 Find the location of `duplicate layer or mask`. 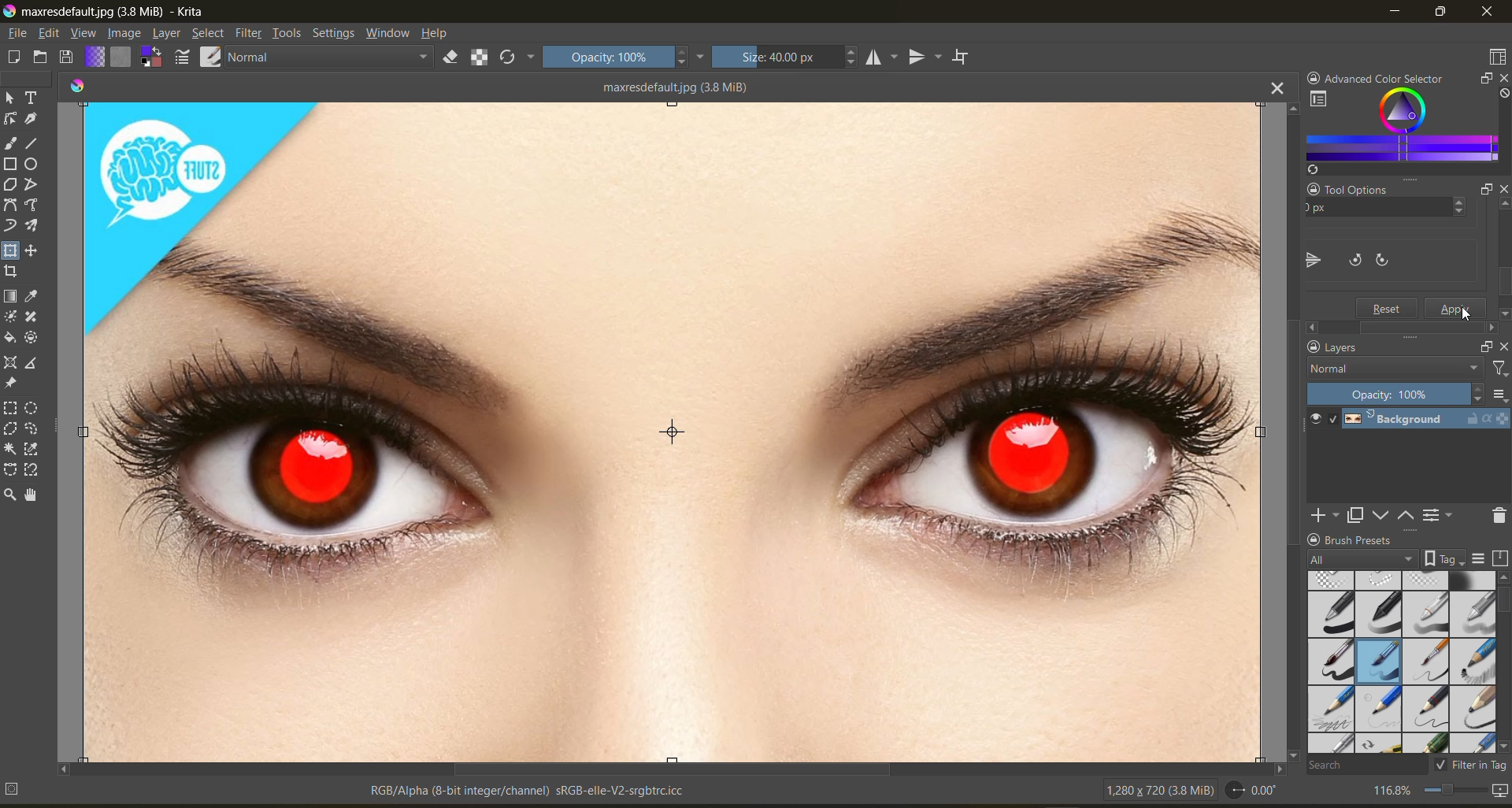

duplicate layer or mask is located at coordinates (1355, 514).